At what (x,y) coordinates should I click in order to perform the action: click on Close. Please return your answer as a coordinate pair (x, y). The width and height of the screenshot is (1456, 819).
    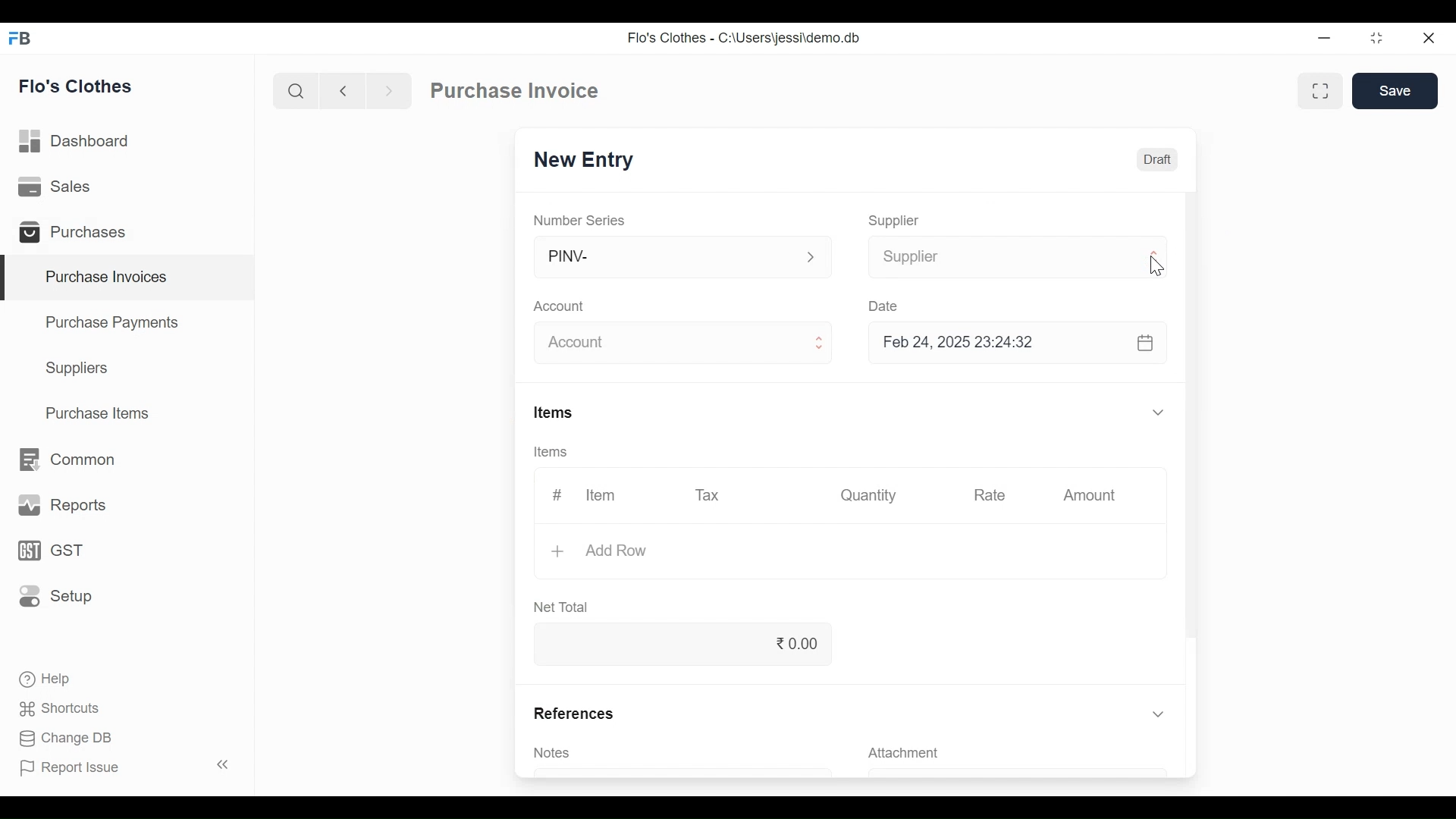
    Looking at the image, I should click on (1429, 38).